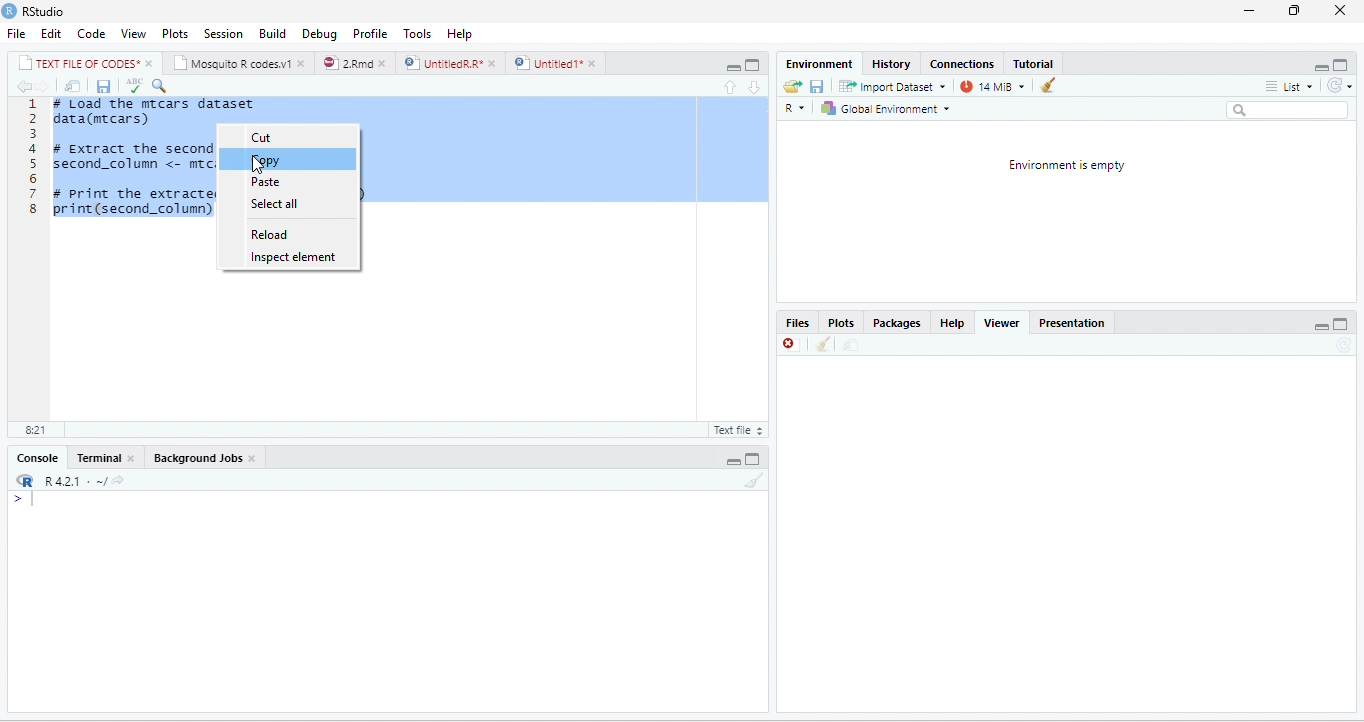  Describe the element at coordinates (891, 63) in the screenshot. I see `History` at that location.